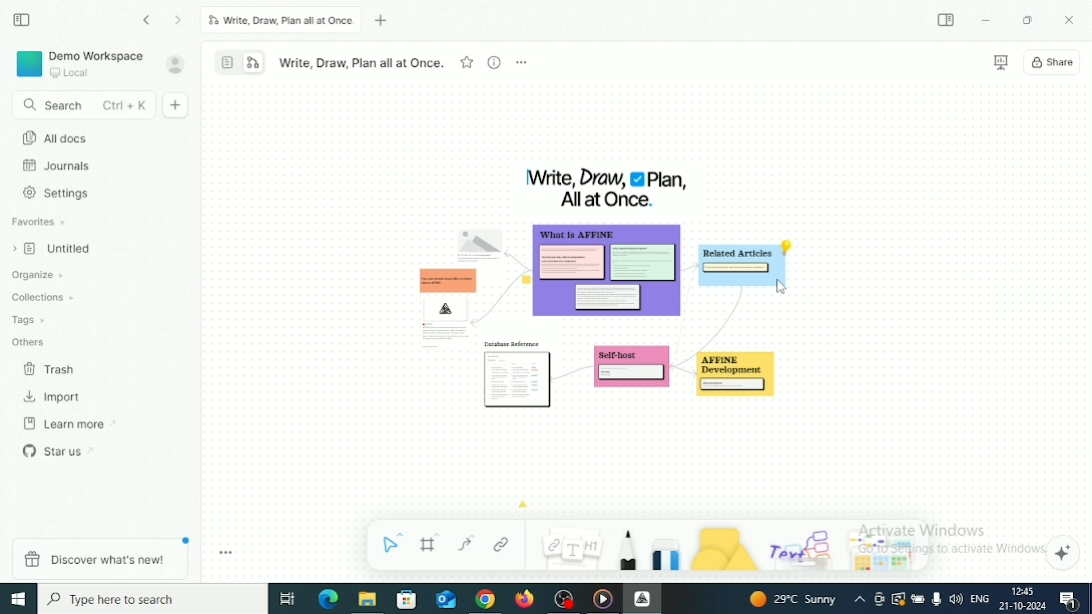  Describe the element at coordinates (918, 597) in the screenshot. I see `Charging, plugged in` at that location.